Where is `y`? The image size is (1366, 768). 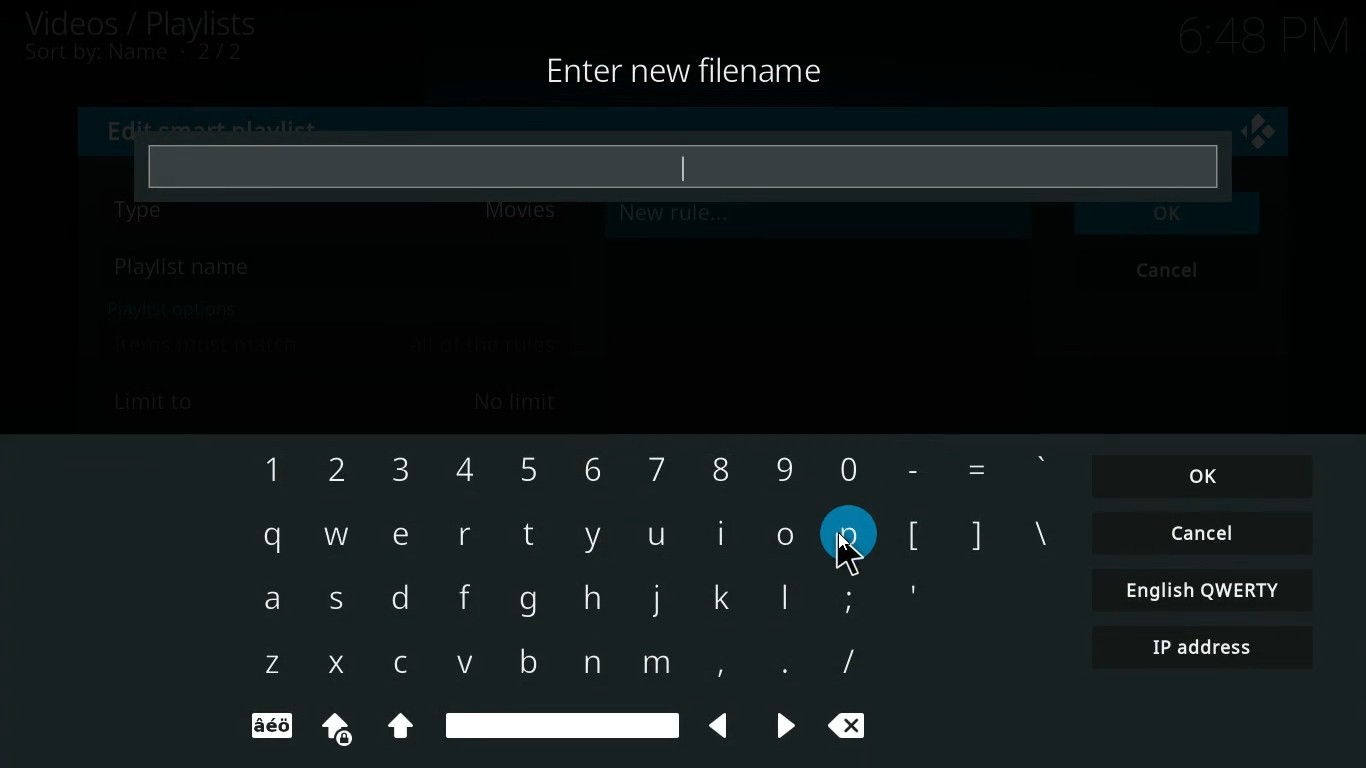
y is located at coordinates (591, 538).